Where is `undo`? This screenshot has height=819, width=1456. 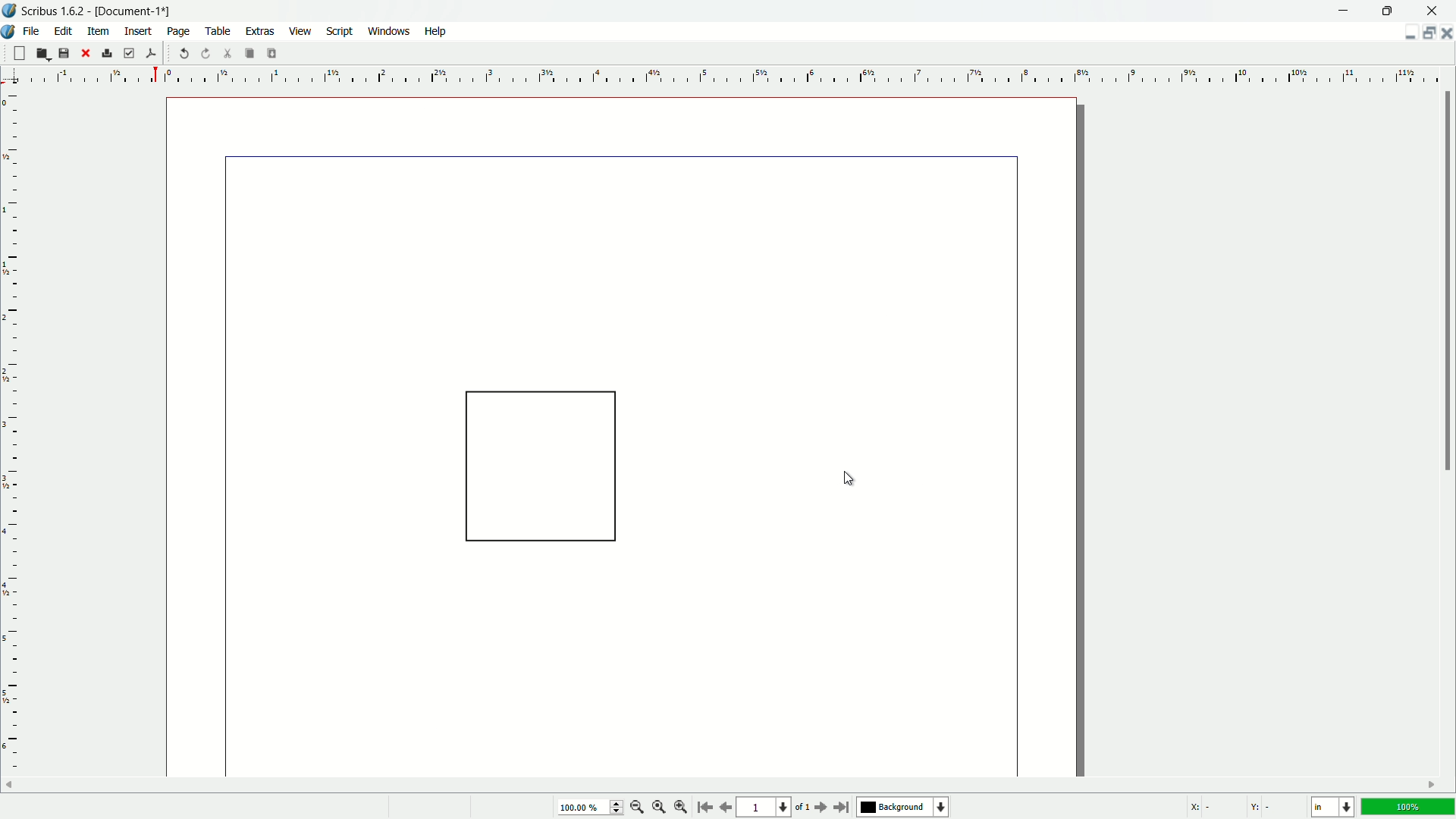
undo is located at coordinates (184, 53).